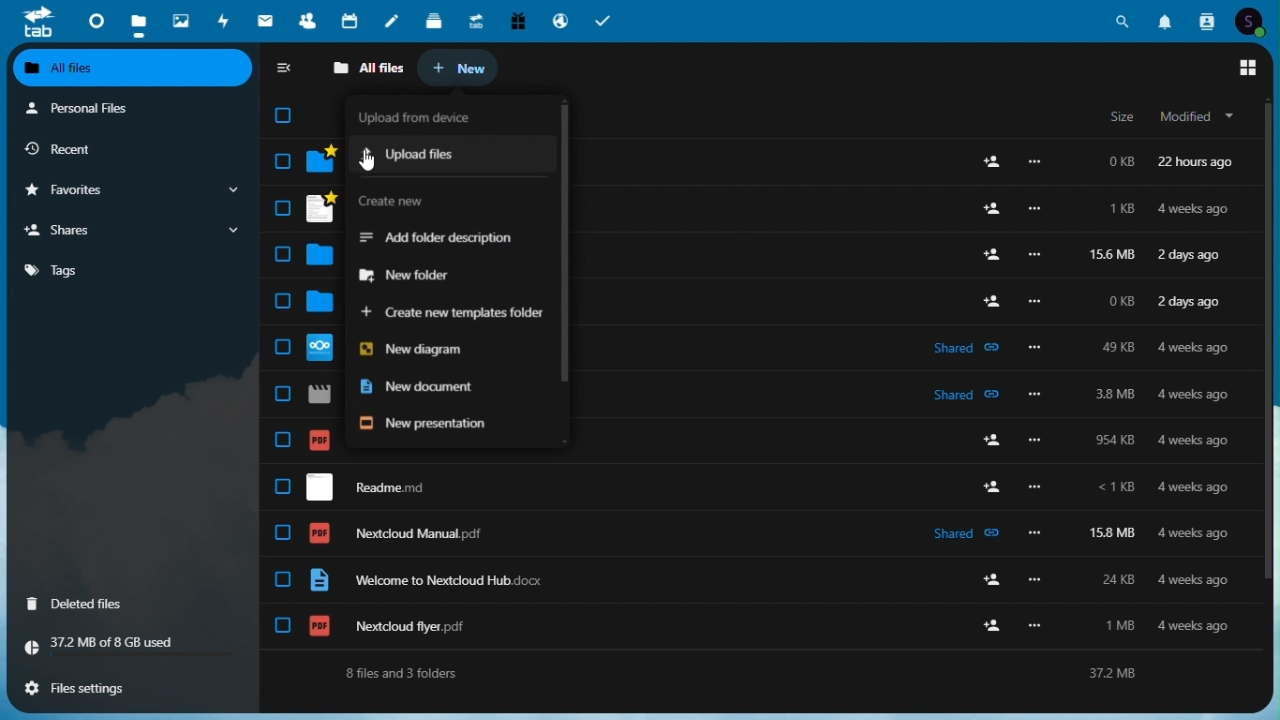 This screenshot has height=720, width=1280. I want to click on more options, so click(1037, 301).